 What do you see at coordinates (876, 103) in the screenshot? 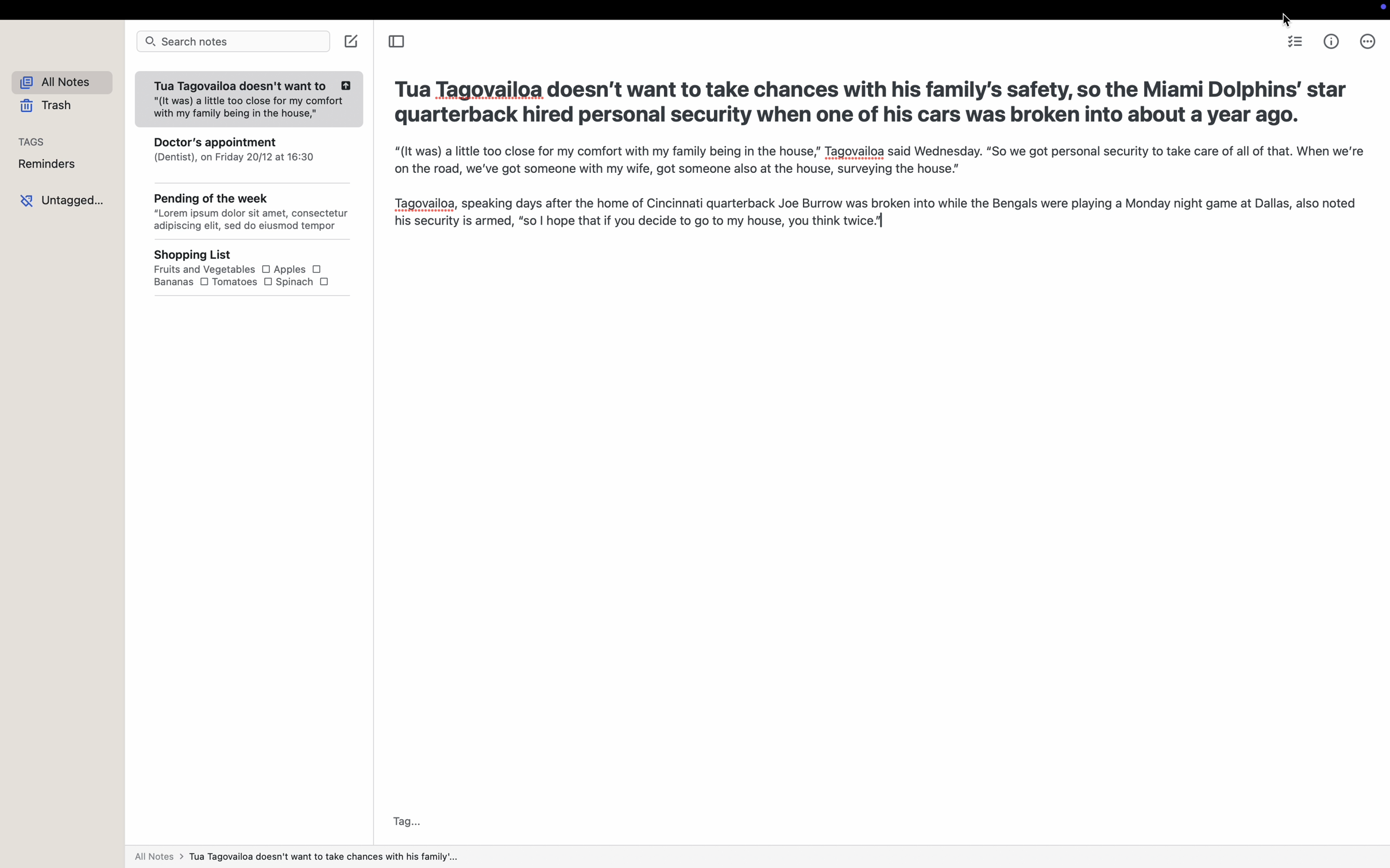
I see `Tua Tagovailoa doesn’t want to take chances with his family's safety, so the Miami Dolphins’ star
quarterback hired personal security when one of his cars was broken into about a year ago.` at bounding box center [876, 103].